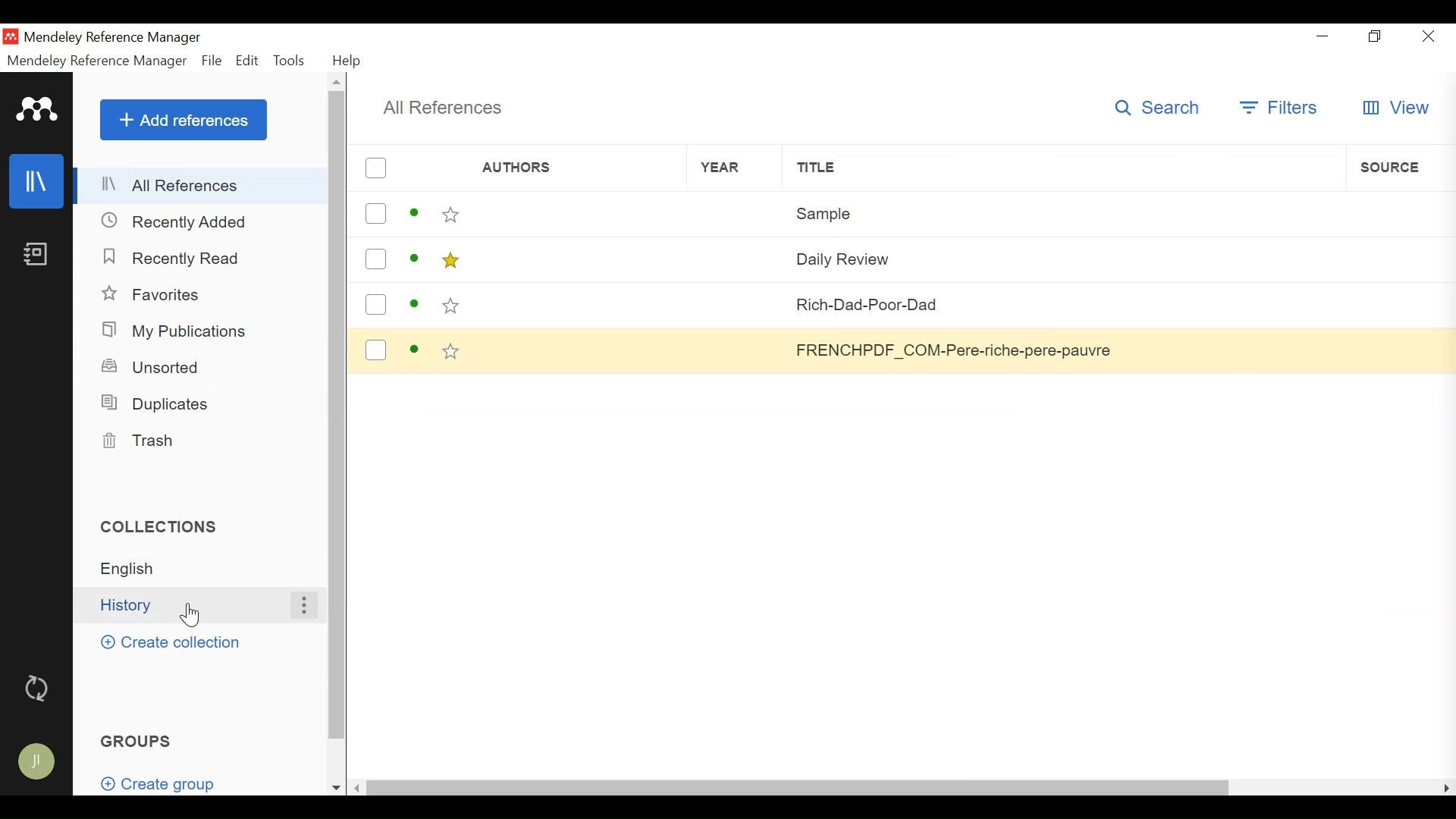  Describe the element at coordinates (139, 740) in the screenshot. I see `Groups` at that location.